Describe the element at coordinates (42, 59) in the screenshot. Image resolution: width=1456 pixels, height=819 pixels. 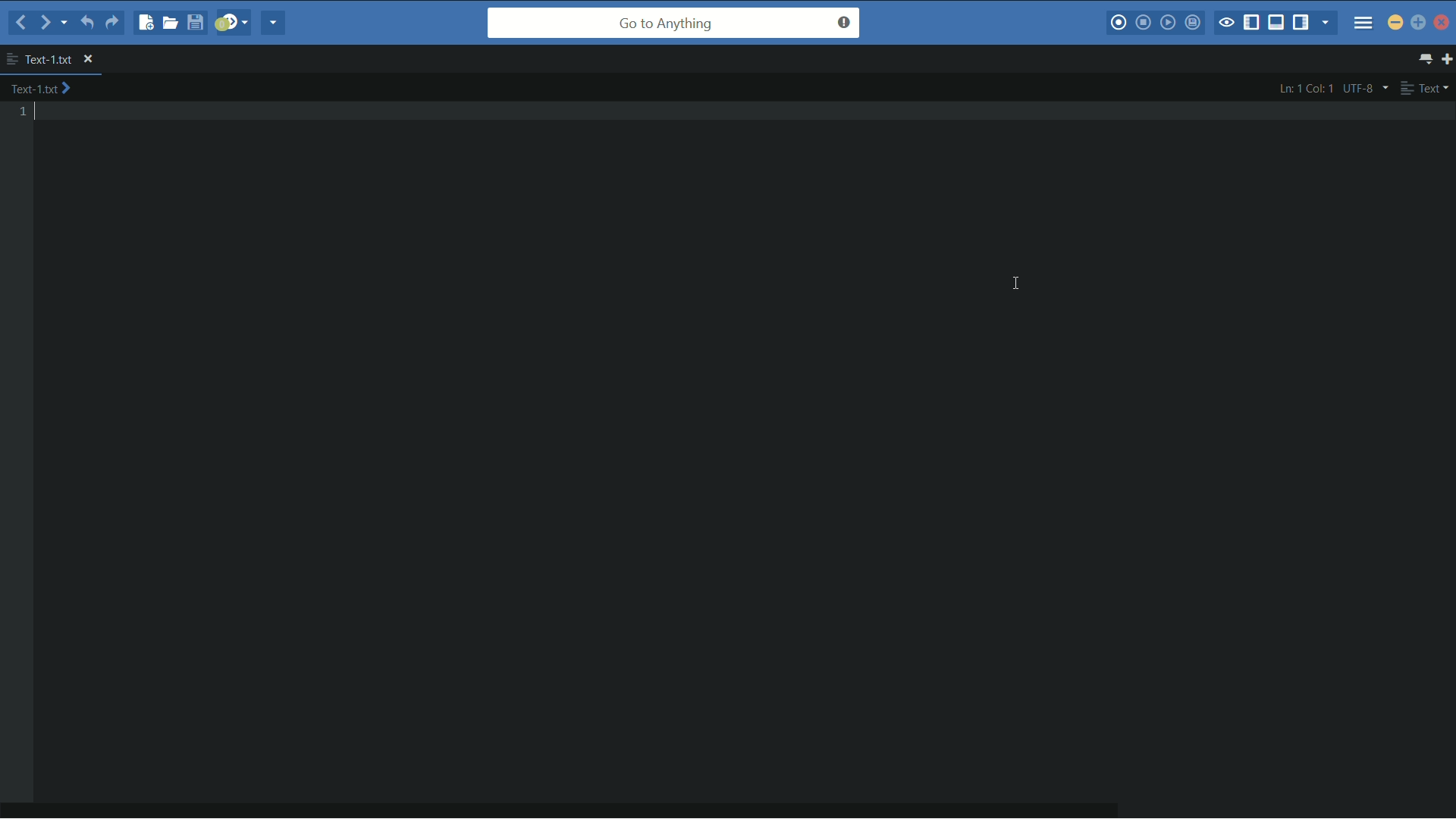
I see `text-1.txt` at that location.